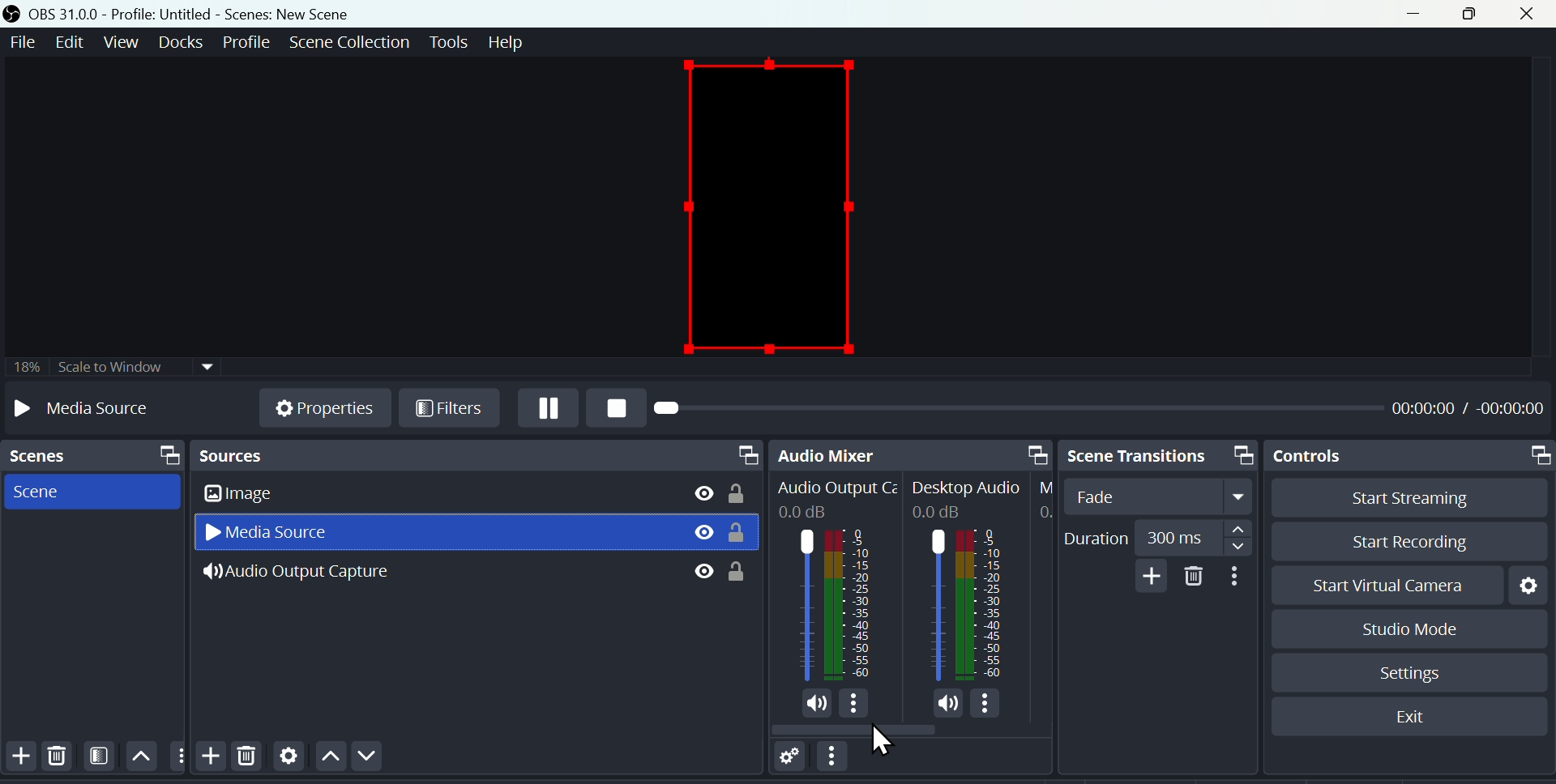 The width and height of the screenshot is (1556, 784). I want to click on scene, so click(47, 490).